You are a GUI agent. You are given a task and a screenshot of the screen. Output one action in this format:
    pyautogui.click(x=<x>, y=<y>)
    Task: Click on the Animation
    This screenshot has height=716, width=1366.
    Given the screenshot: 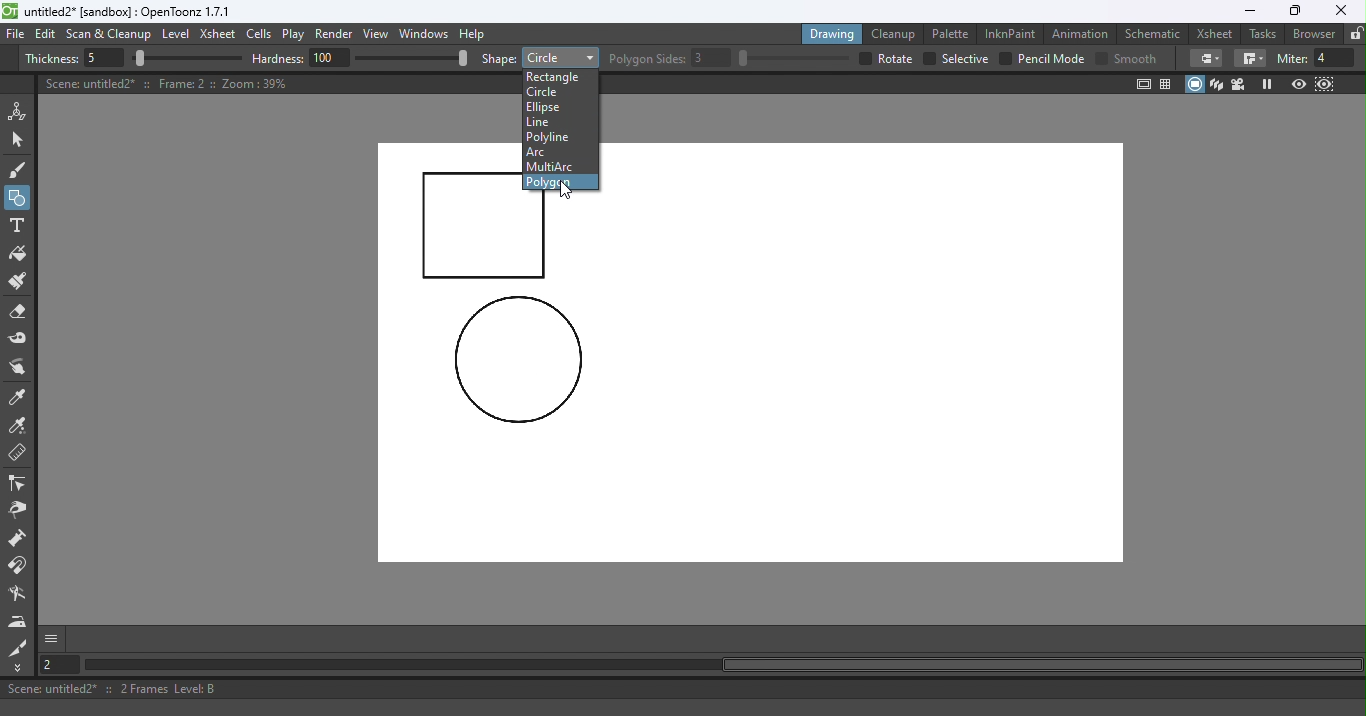 What is the action you would take?
    pyautogui.click(x=1083, y=32)
    